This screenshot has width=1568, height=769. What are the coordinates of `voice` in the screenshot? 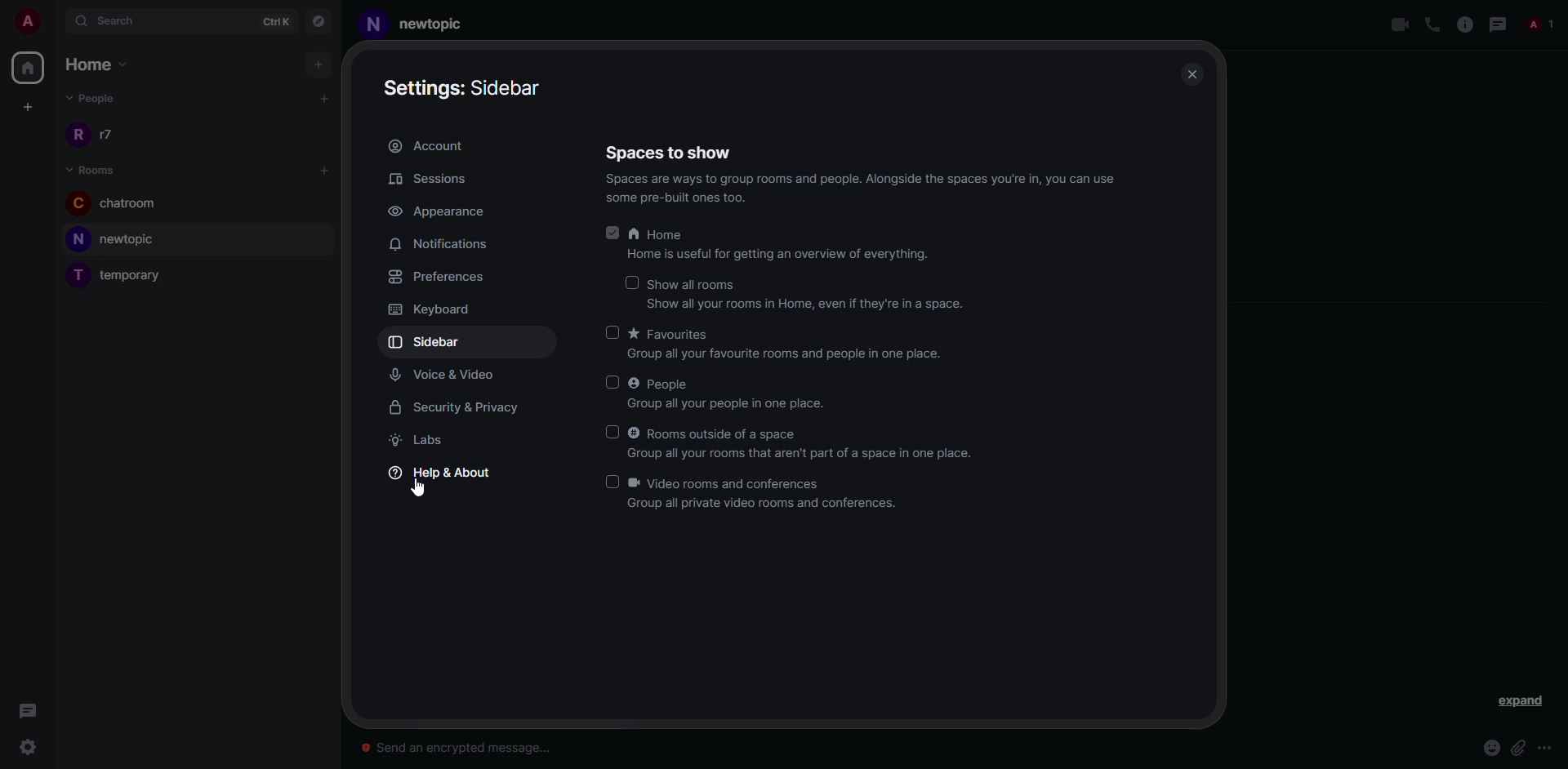 It's located at (449, 376).